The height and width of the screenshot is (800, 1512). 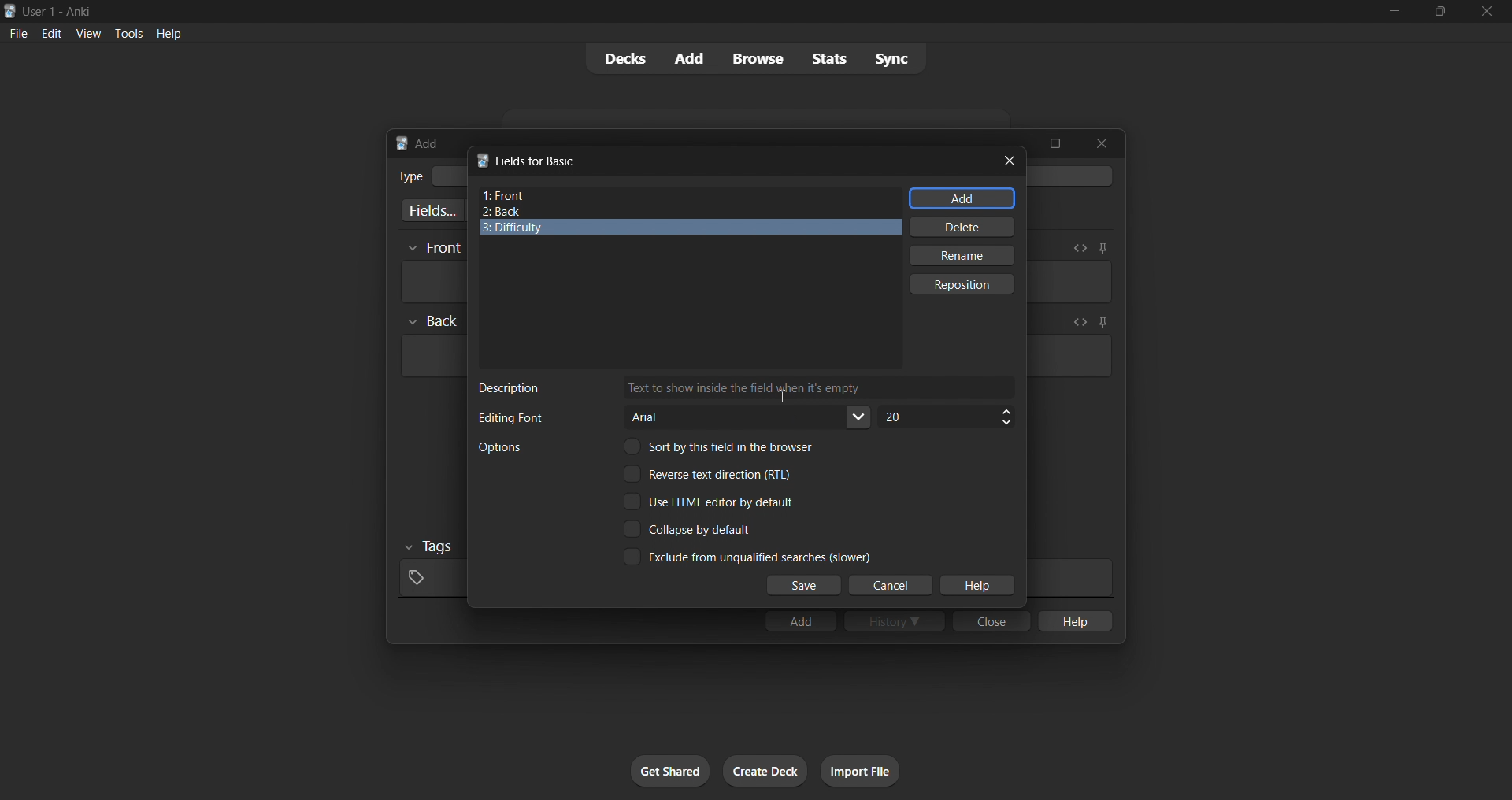 I want to click on difficulty field, so click(x=691, y=228).